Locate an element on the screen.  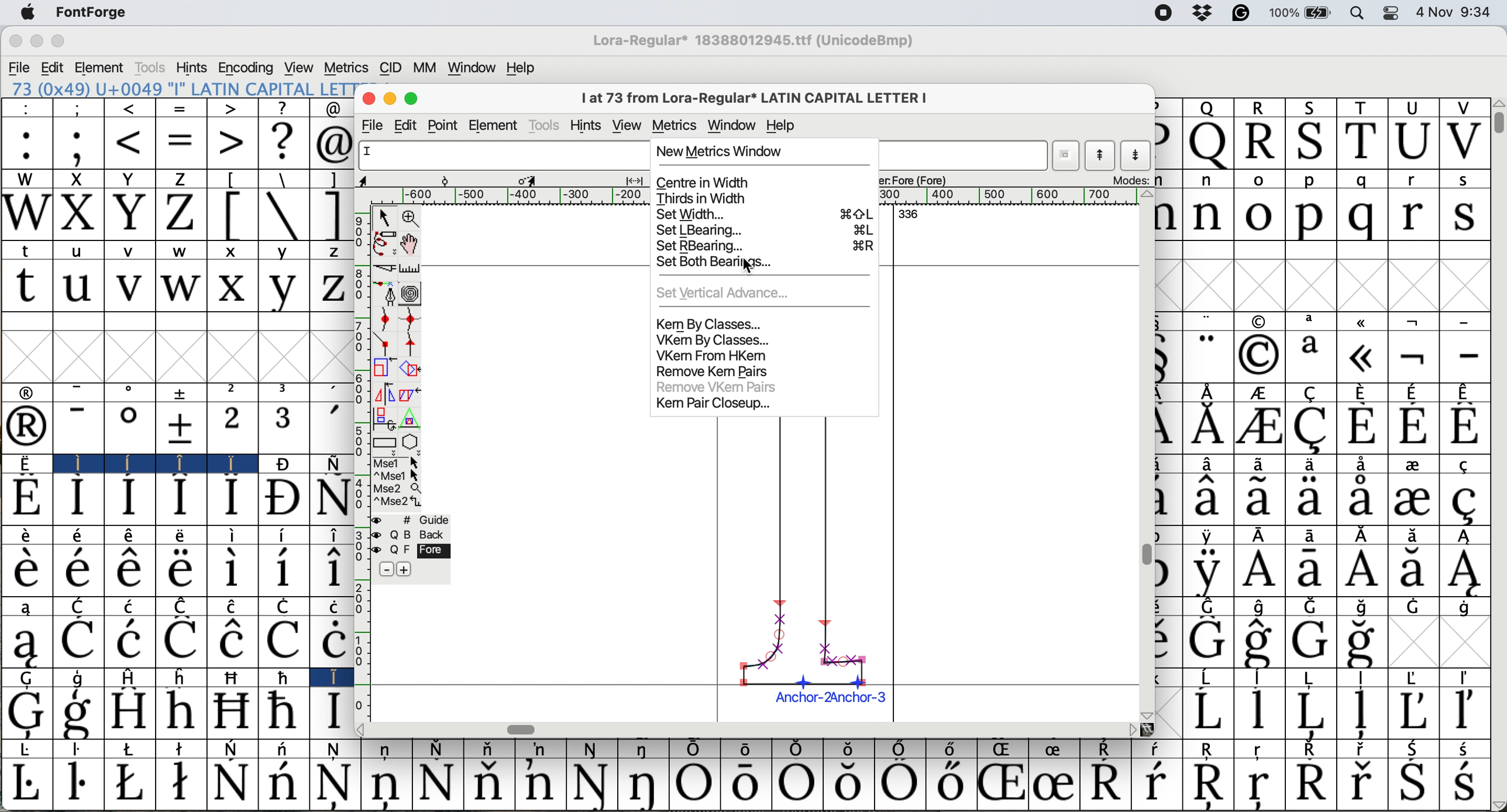
Symbol is located at coordinates (1212, 749).